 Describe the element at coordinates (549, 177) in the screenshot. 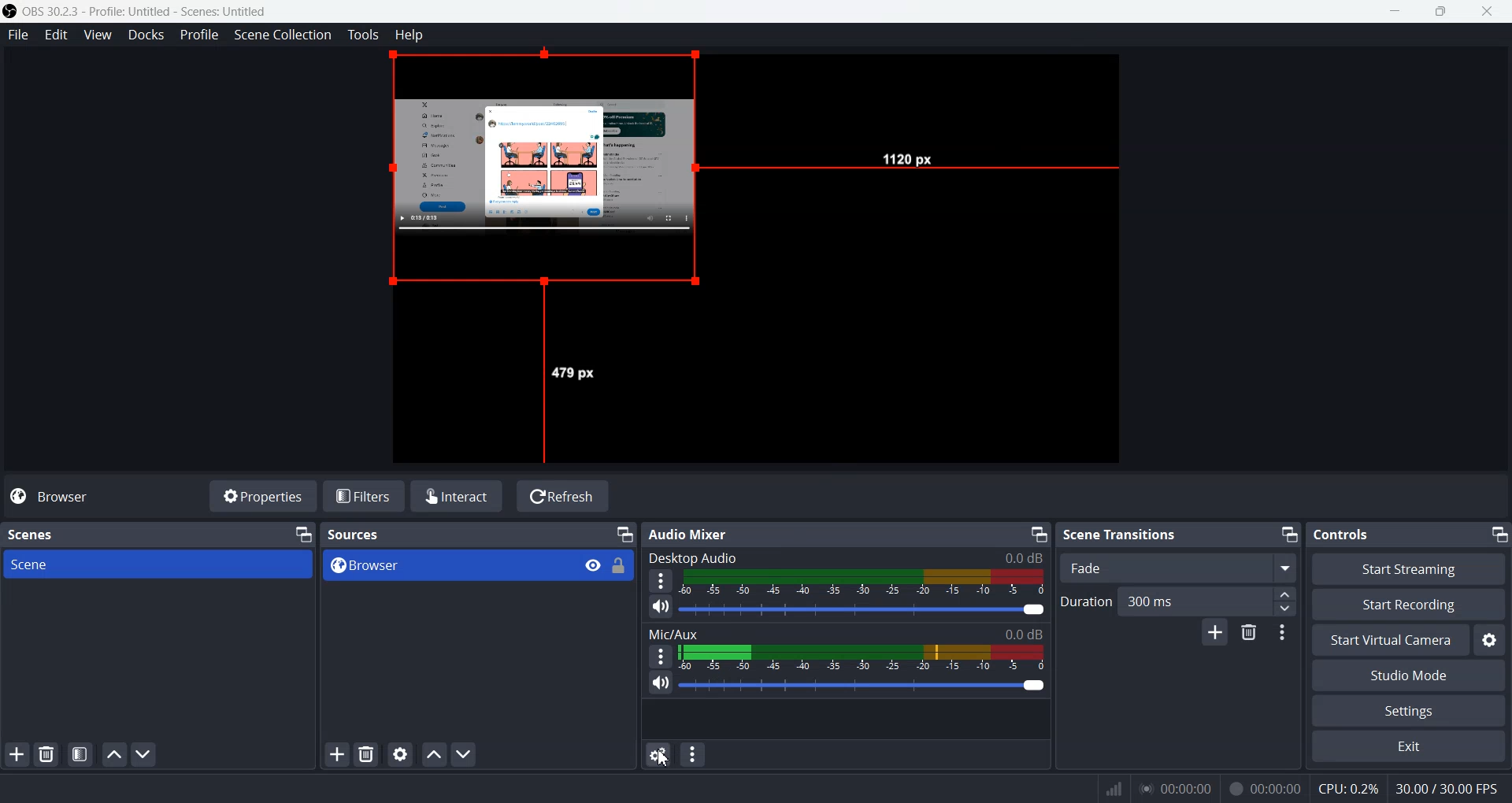

I see `Open sources` at that location.